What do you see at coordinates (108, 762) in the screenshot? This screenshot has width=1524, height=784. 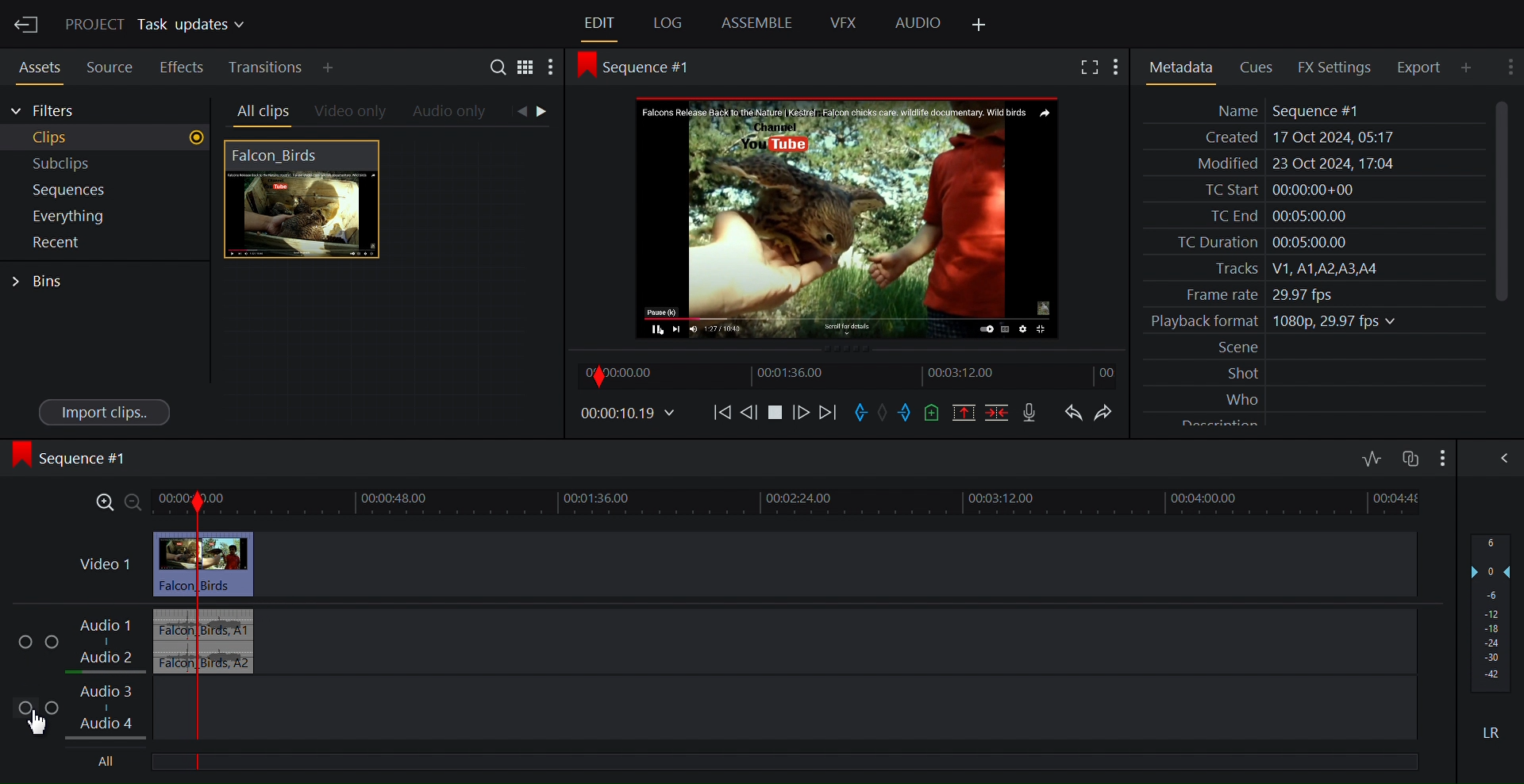 I see `All` at bounding box center [108, 762].